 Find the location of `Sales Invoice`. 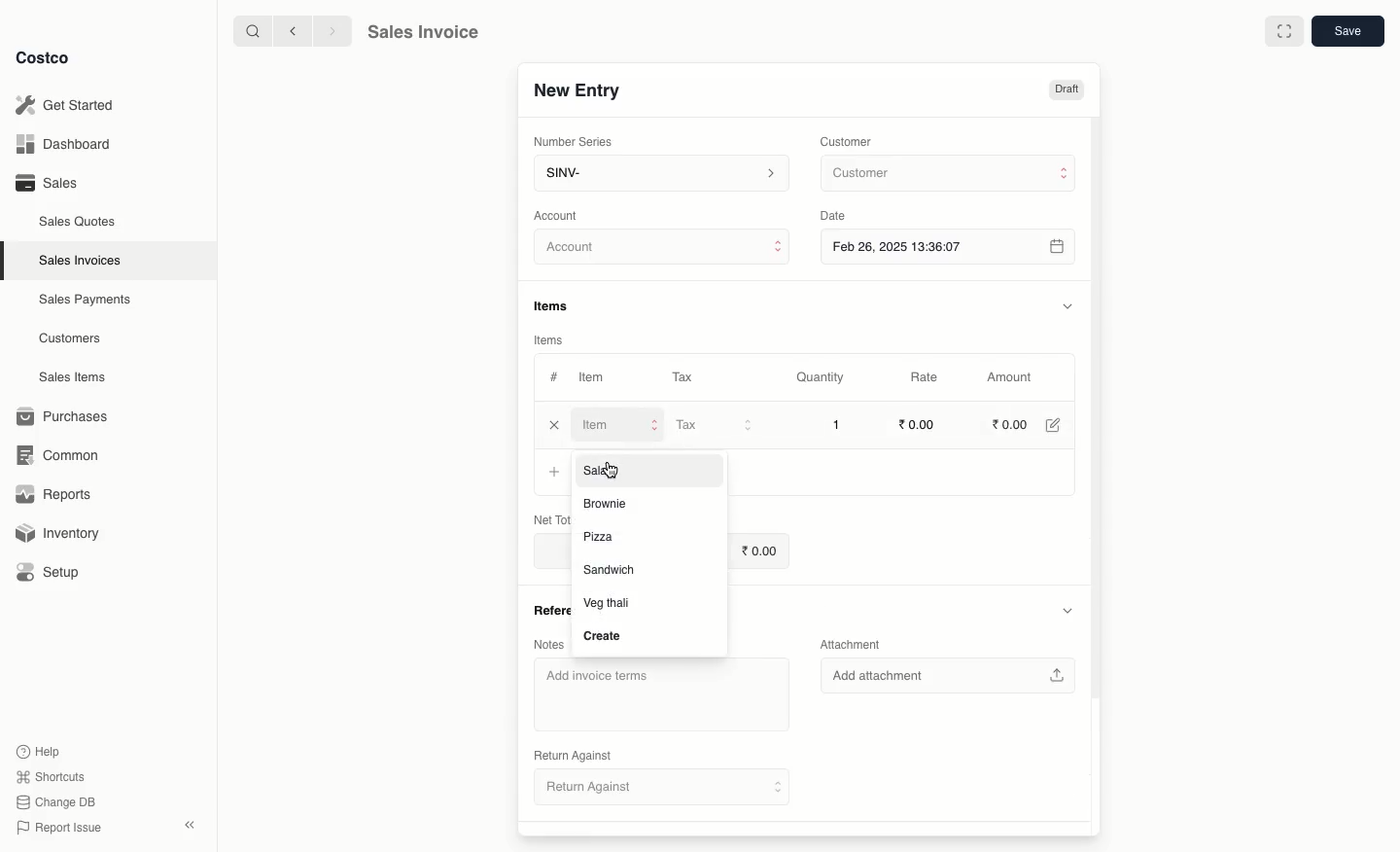

Sales Invoice is located at coordinates (423, 34).